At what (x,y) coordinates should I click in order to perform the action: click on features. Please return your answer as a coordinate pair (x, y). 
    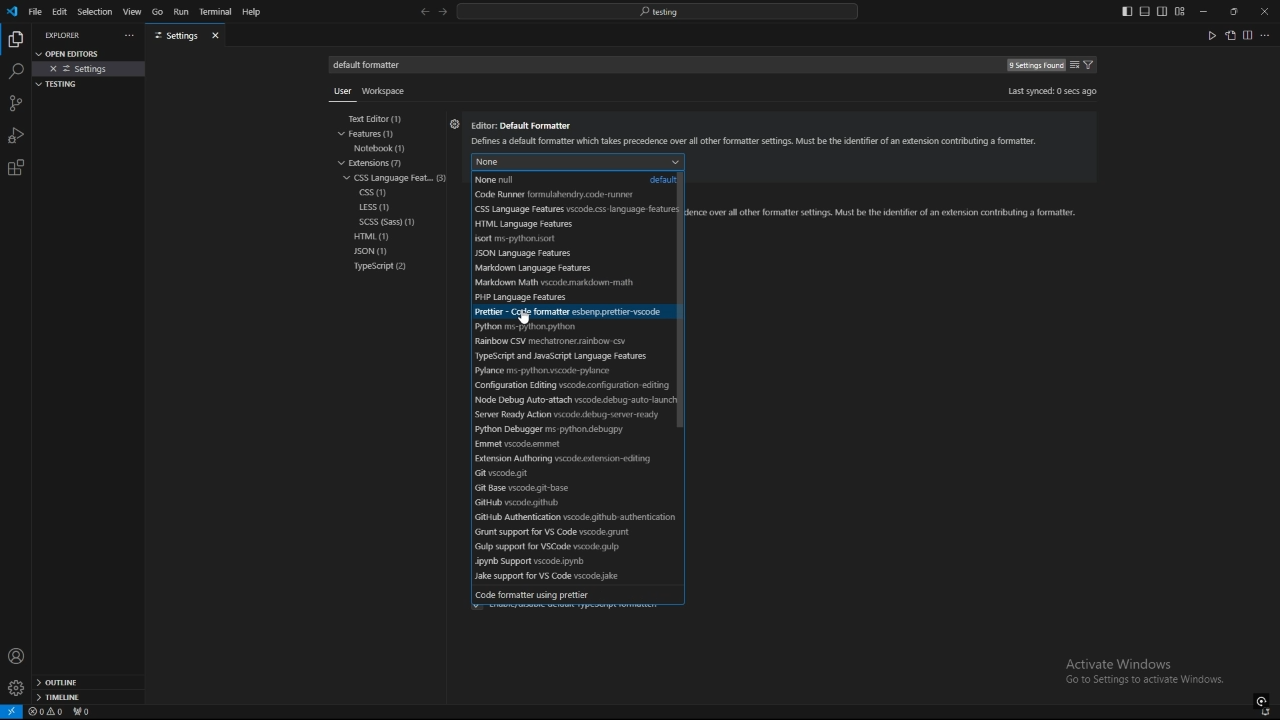
    Looking at the image, I should click on (378, 134).